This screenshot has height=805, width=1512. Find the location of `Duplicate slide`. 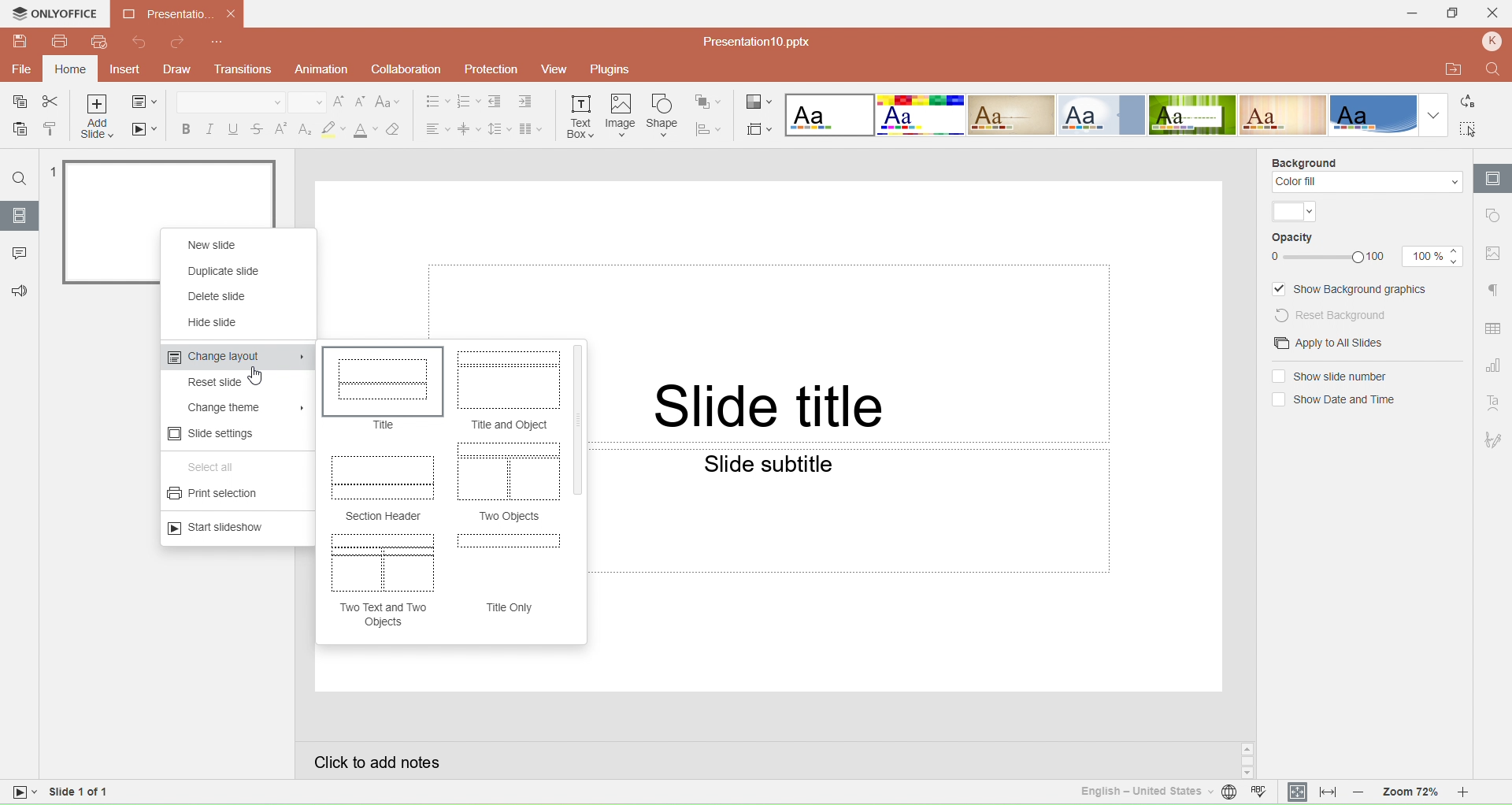

Duplicate slide is located at coordinates (227, 271).